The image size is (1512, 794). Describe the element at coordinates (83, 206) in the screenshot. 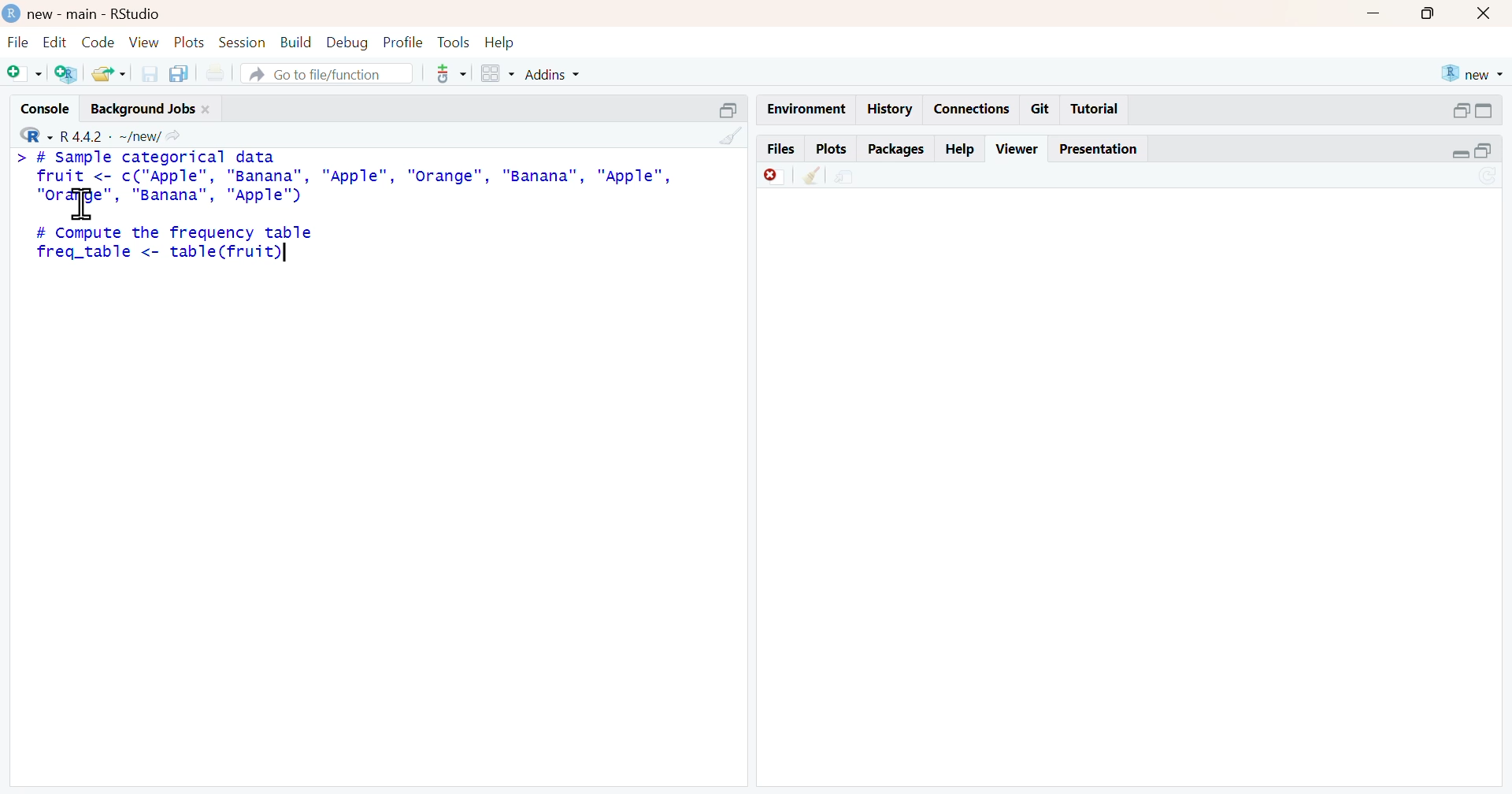

I see `cursor` at that location.